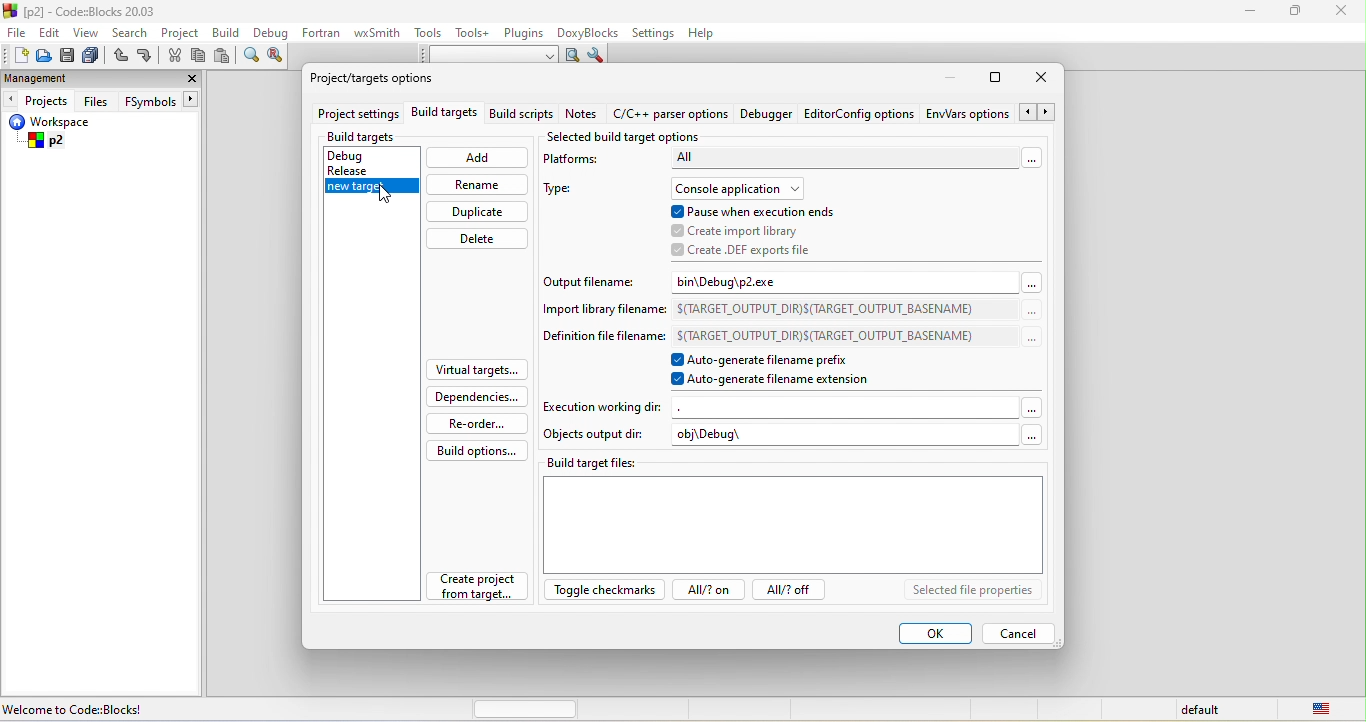  I want to click on selected file properties, so click(971, 591).